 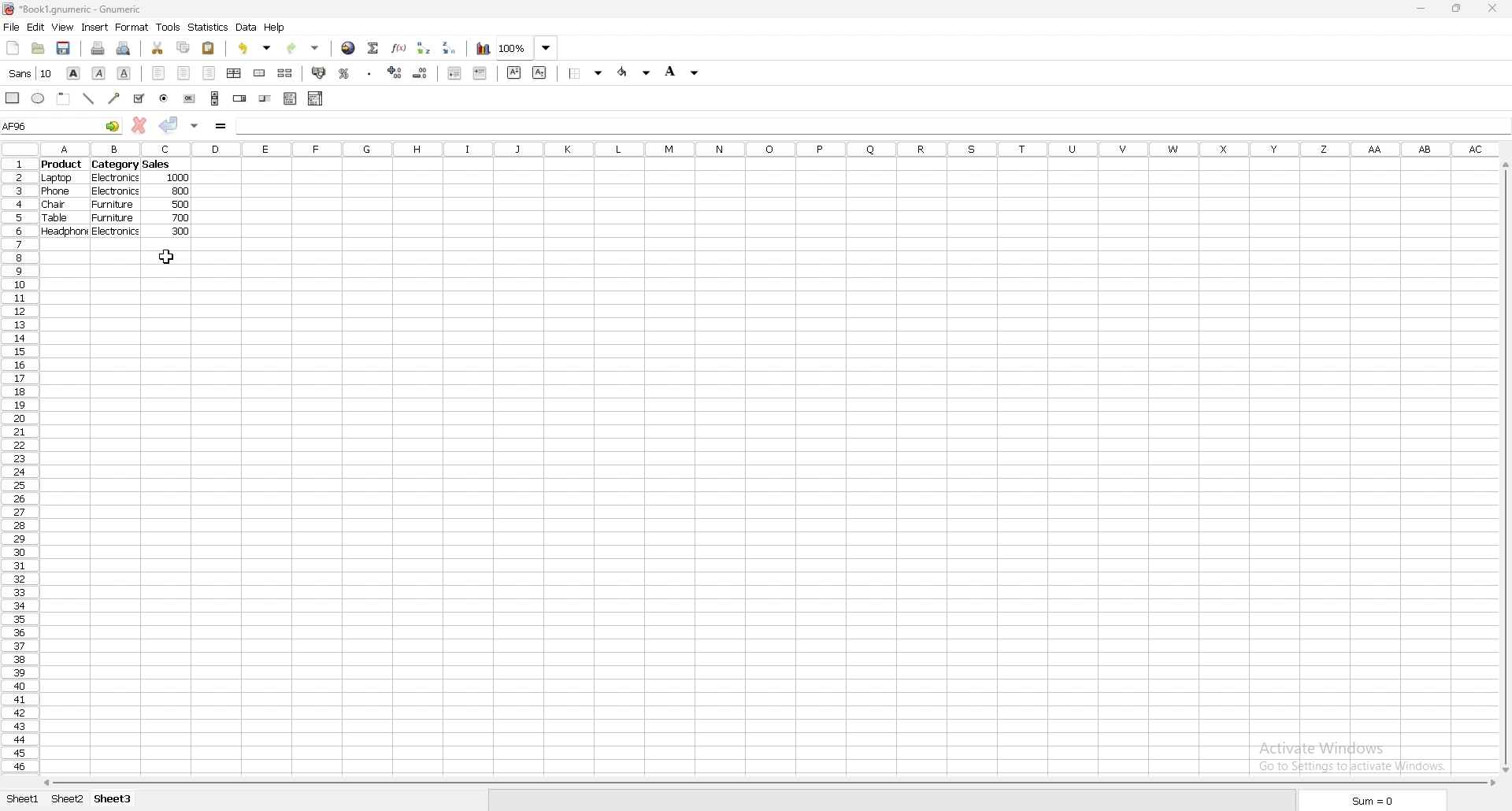 I want to click on sales, so click(x=157, y=164).